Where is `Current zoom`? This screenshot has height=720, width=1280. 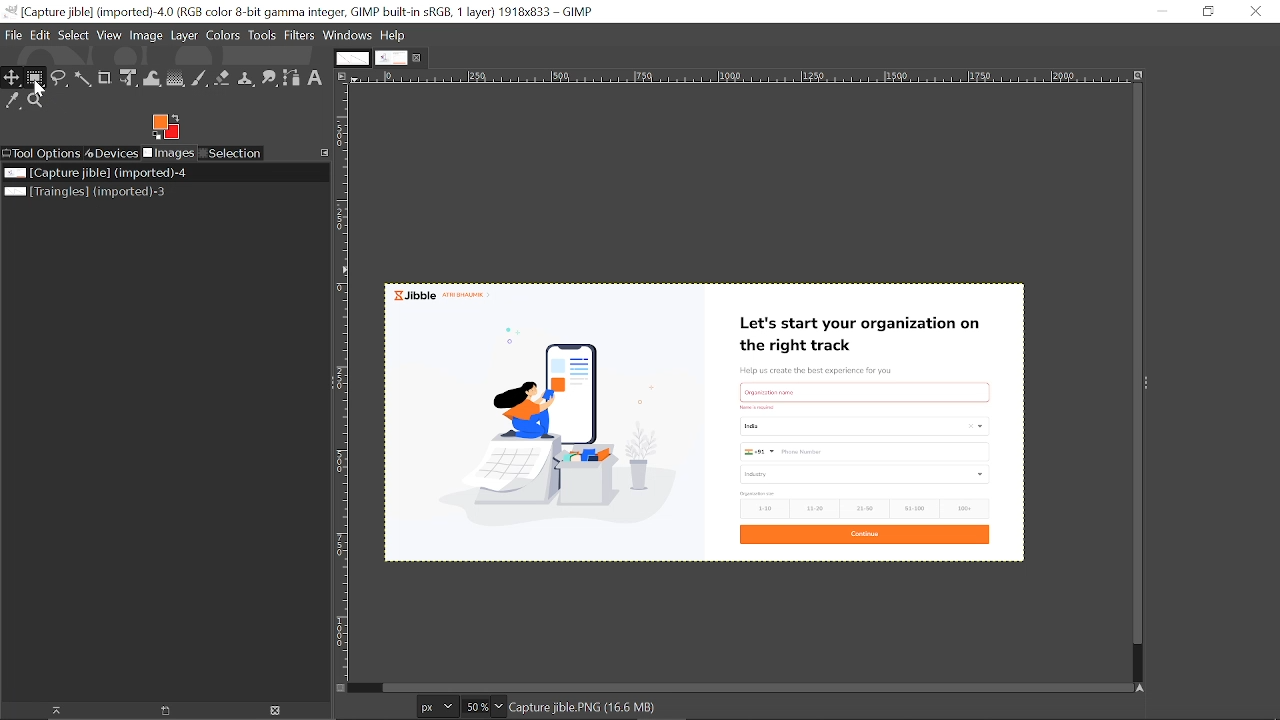
Current zoom is located at coordinates (477, 707).